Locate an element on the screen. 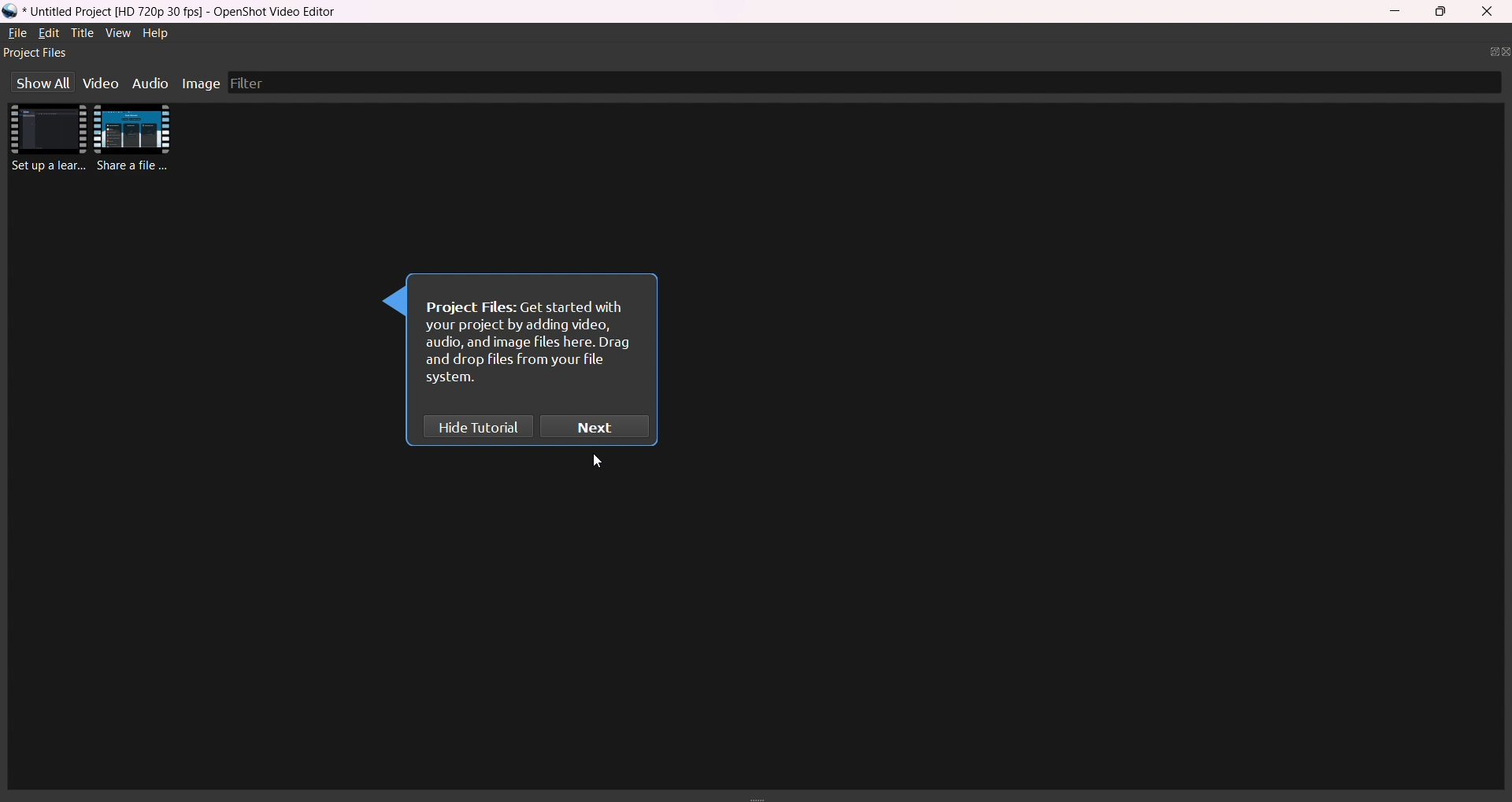 The width and height of the screenshot is (1512, 802). hide tutorial is located at coordinates (476, 426).